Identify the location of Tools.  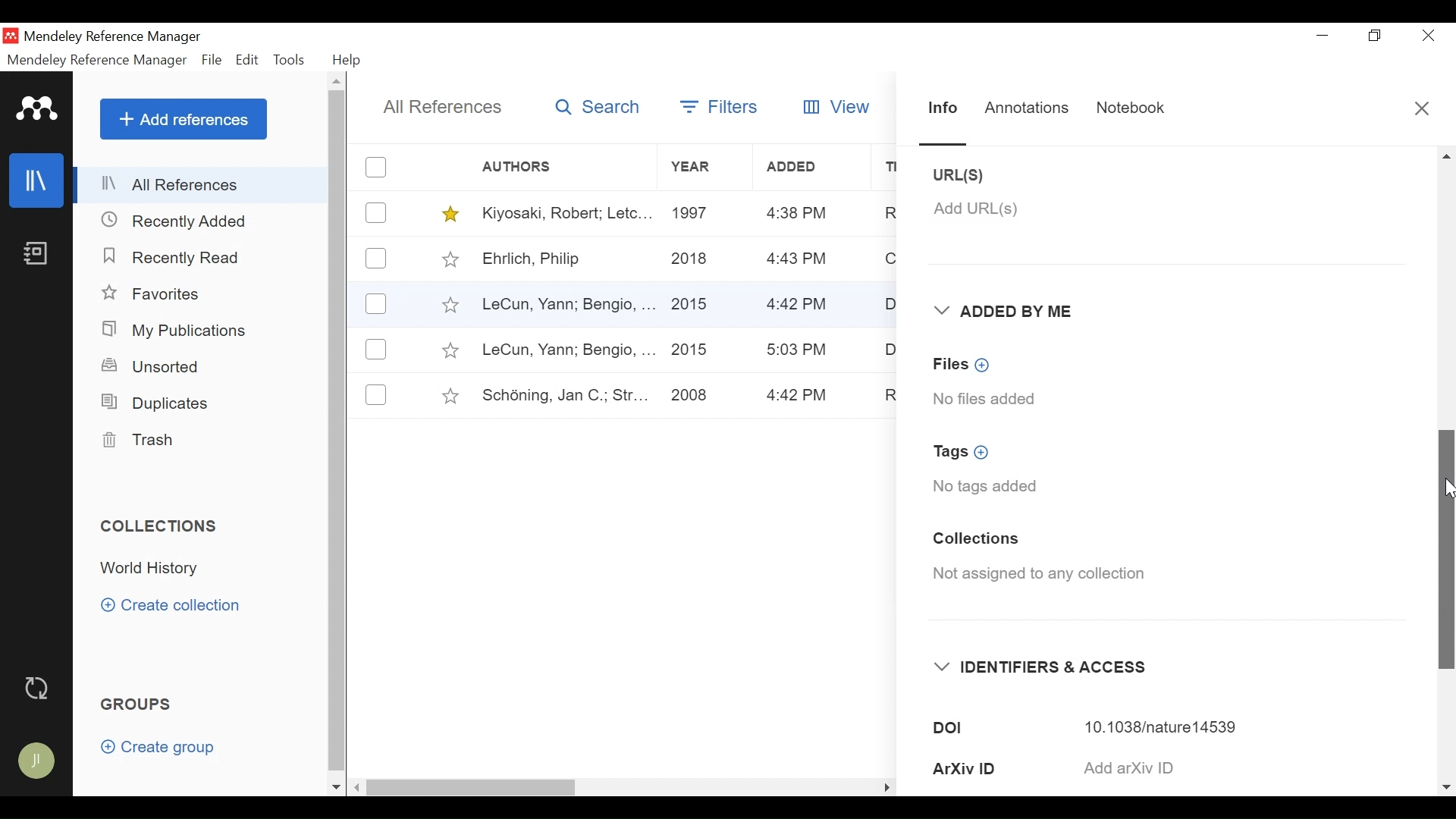
(293, 60).